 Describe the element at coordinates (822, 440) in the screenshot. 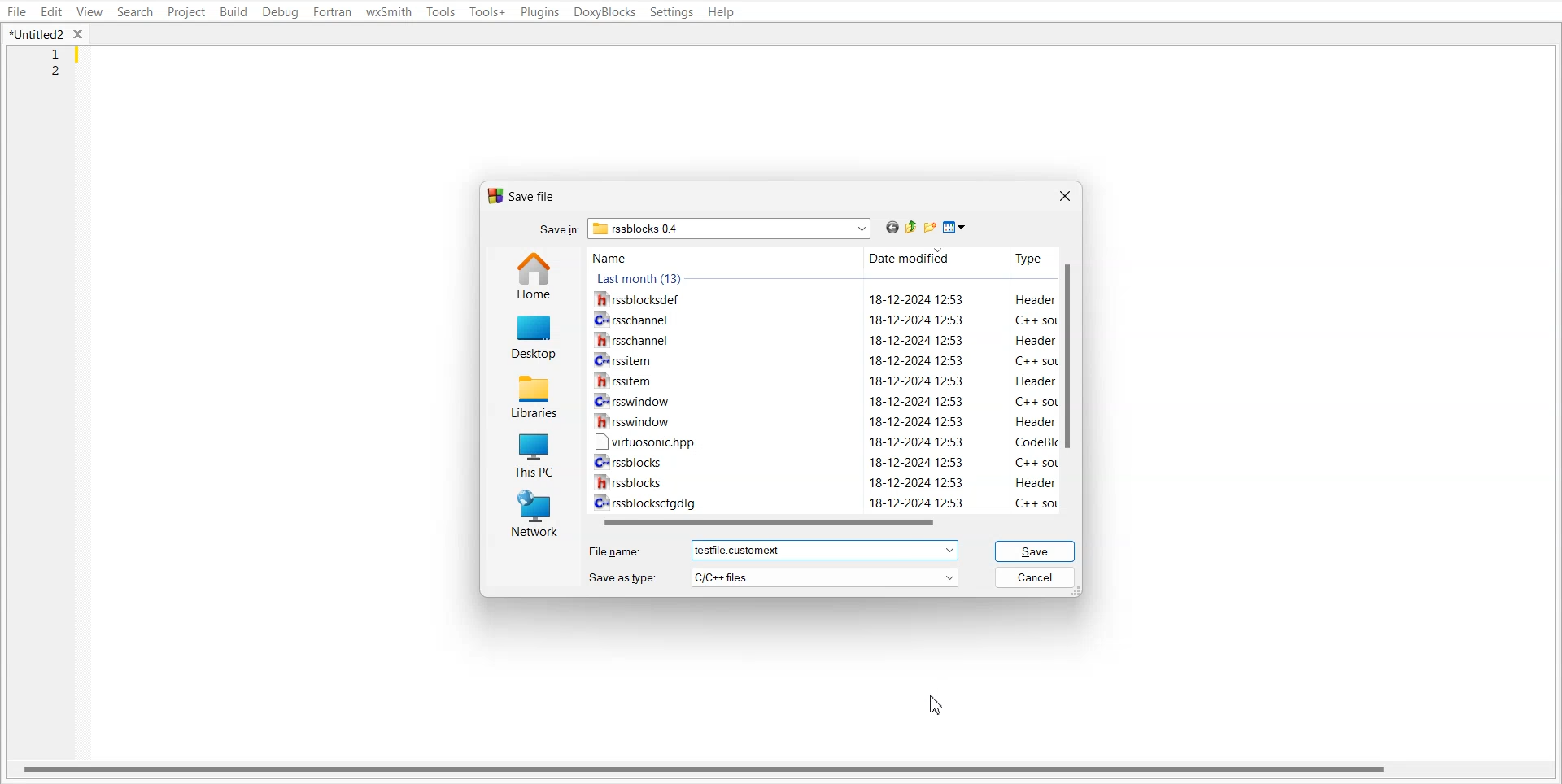

I see `[™ virtuosonichpp 18-12-2024 12:53 CodeBlIc` at that location.